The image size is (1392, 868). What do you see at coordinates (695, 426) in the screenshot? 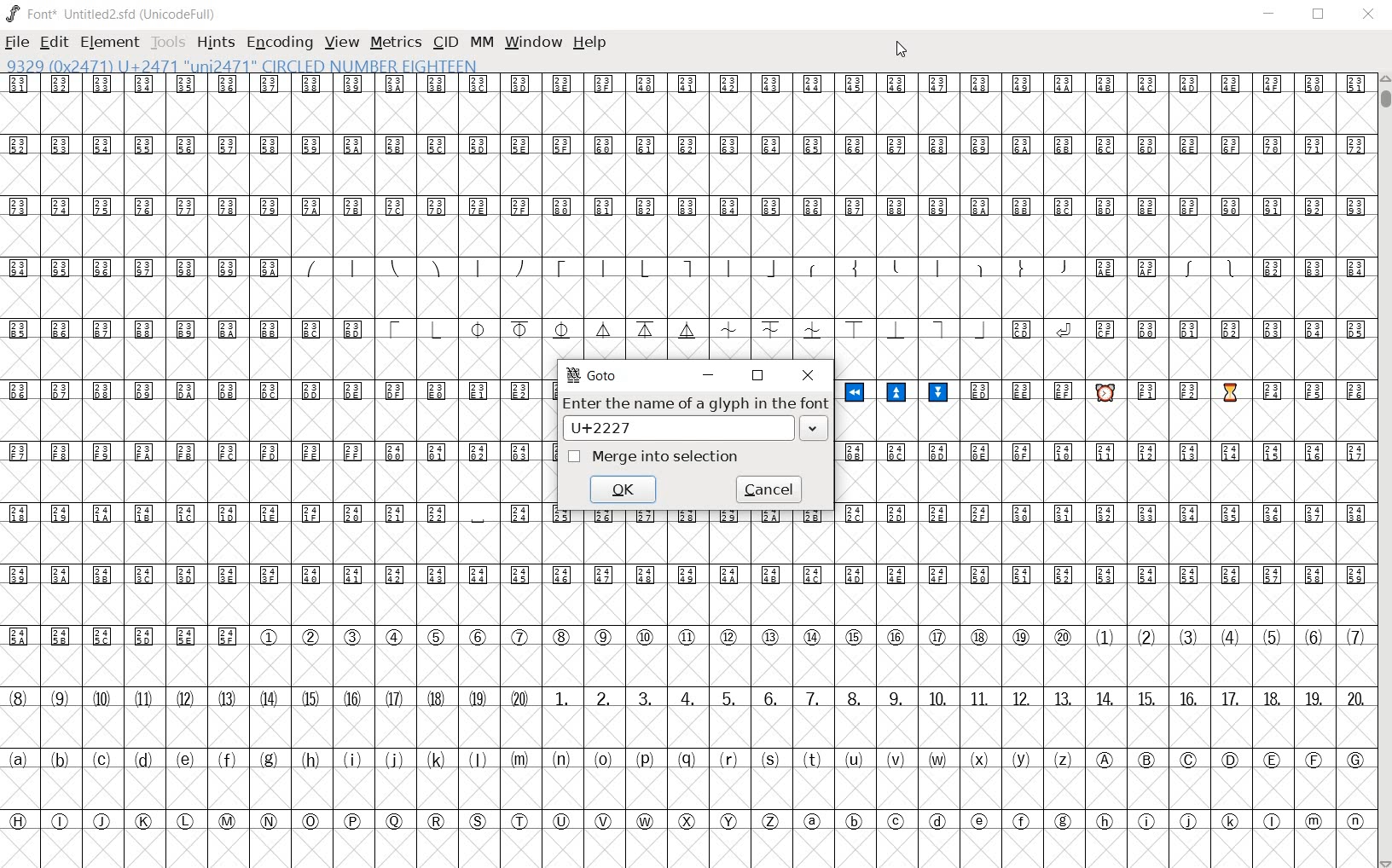
I see `text box` at bounding box center [695, 426].